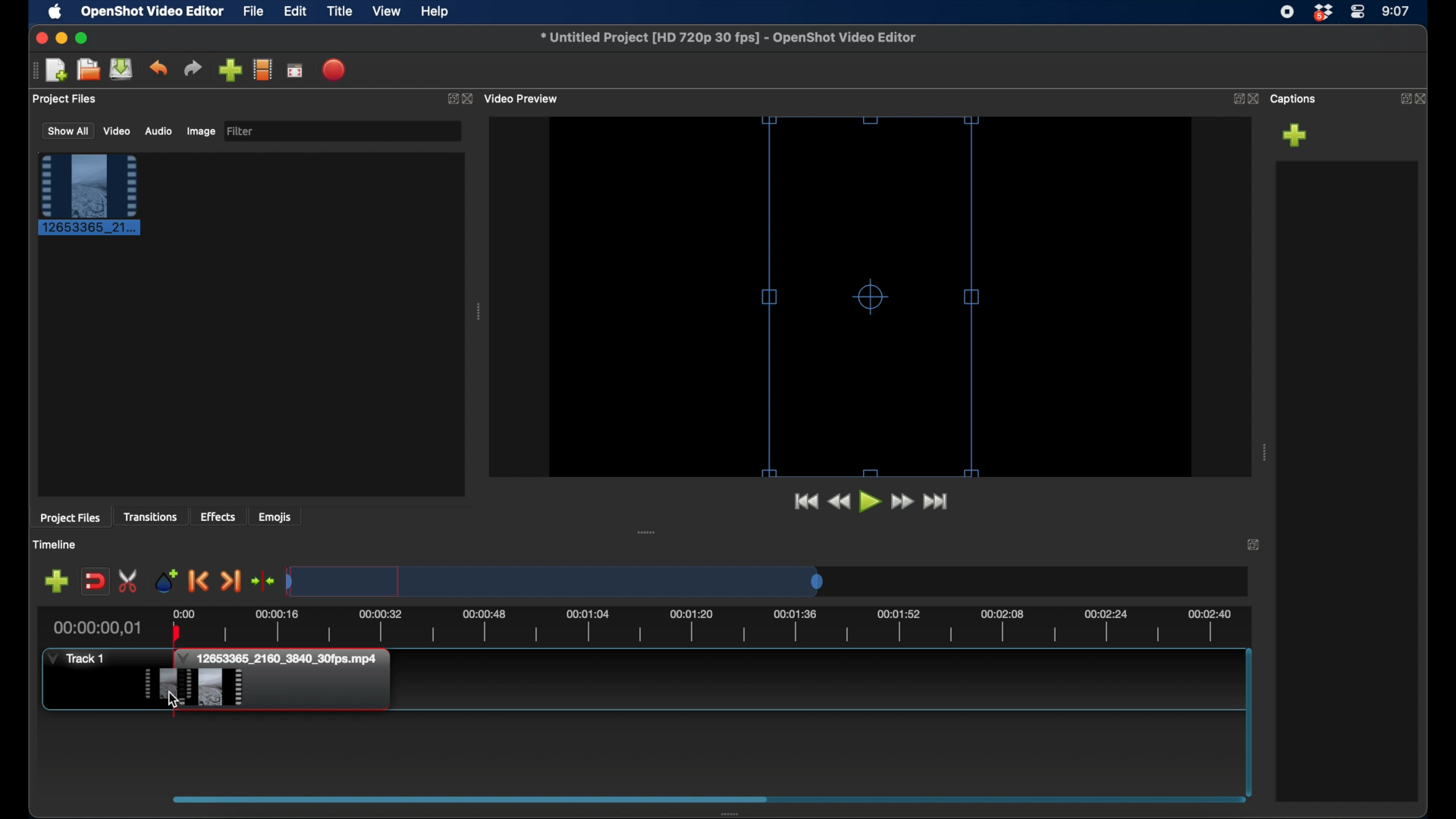 The height and width of the screenshot is (819, 1456). What do you see at coordinates (231, 581) in the screenshot?
I see `next marker` at bounding box center [231, 581].